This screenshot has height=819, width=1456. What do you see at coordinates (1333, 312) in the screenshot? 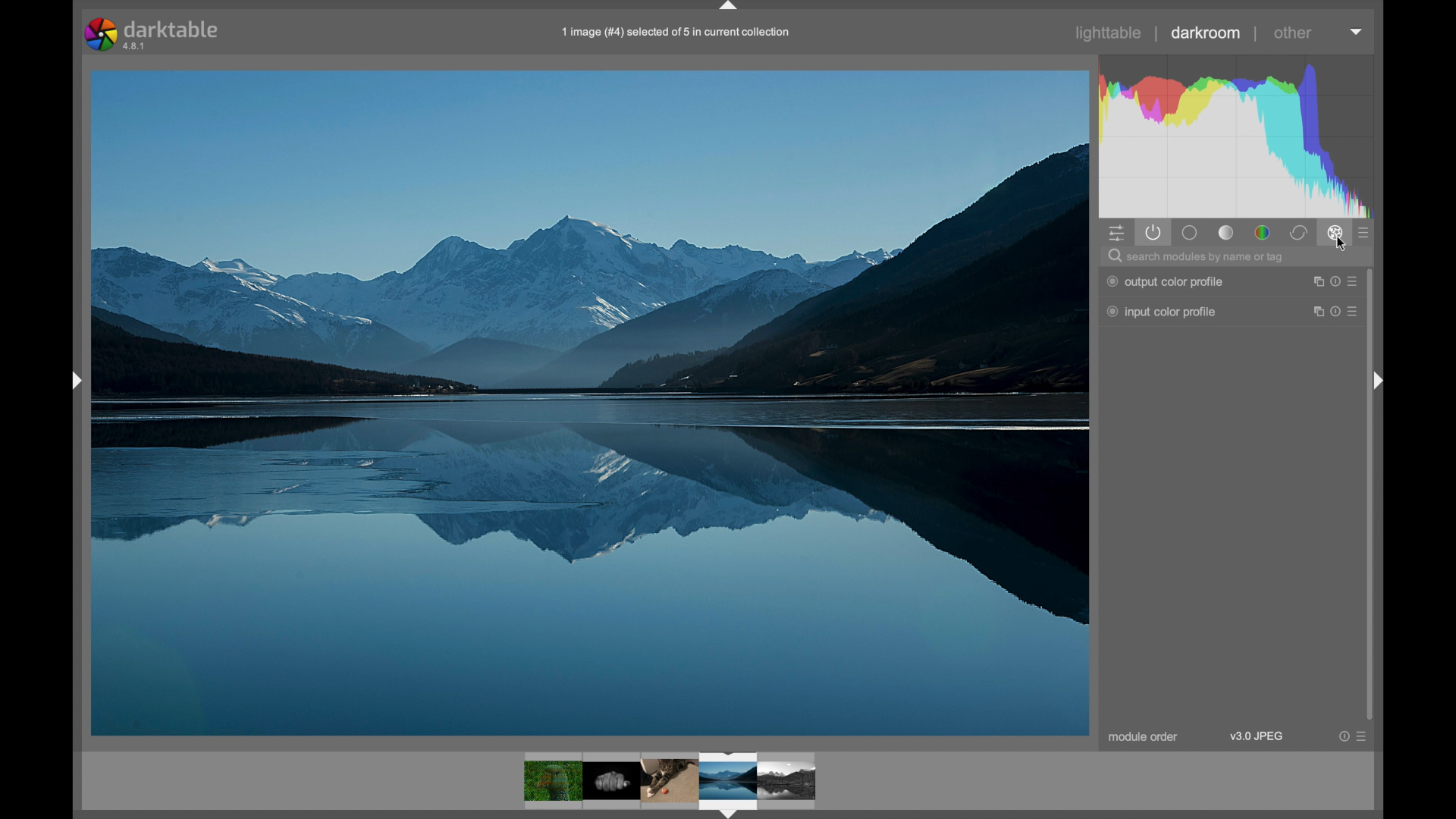
I see `Help` at bounding box center [1333, 312].